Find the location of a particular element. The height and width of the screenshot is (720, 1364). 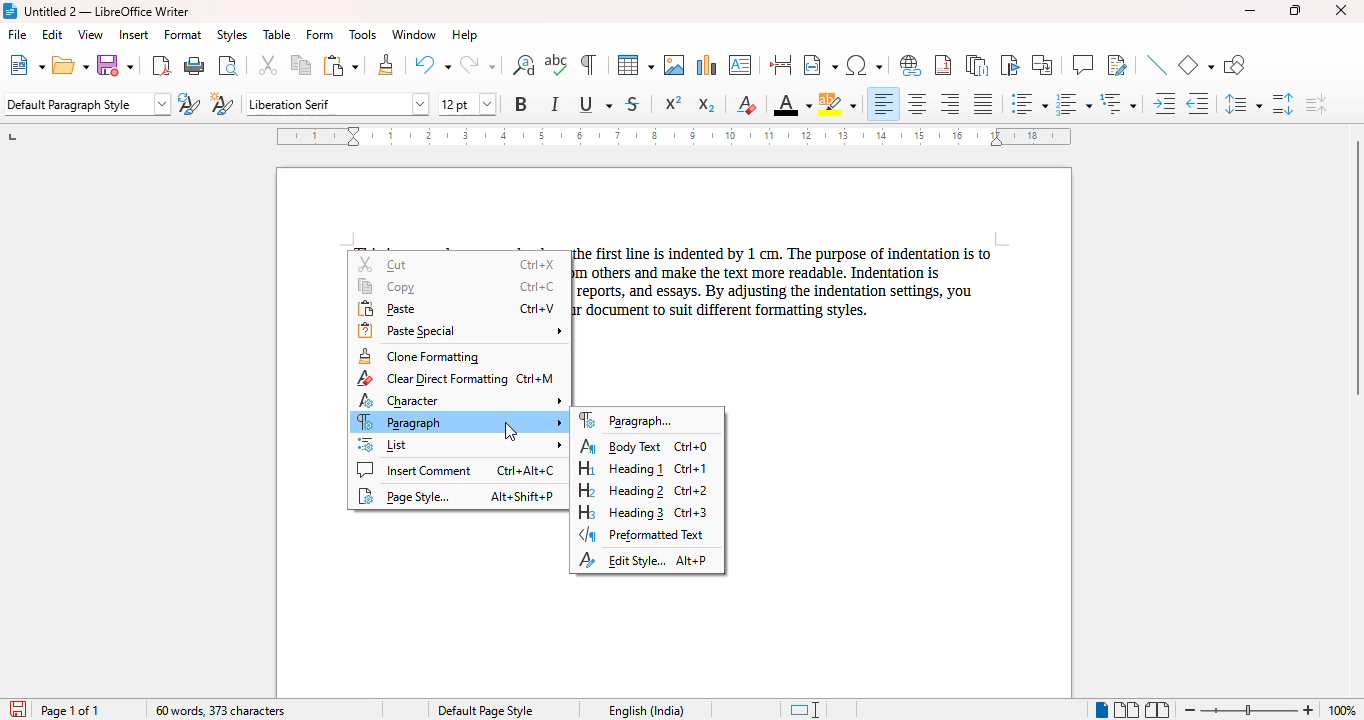

align left is located at coordinates (882, 103).